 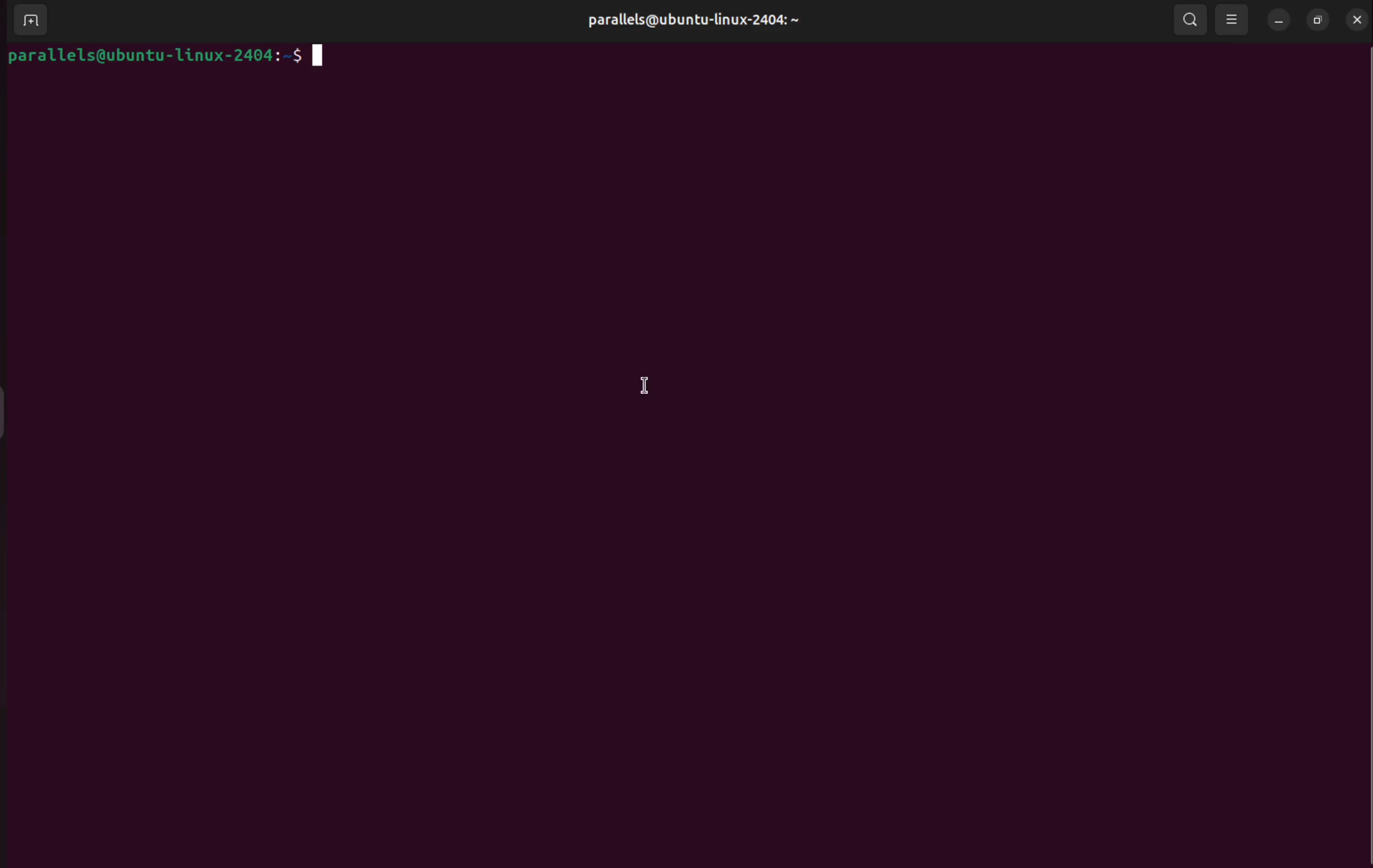 What do you see at coordinates (1364, 455) in the screenshot?
I see `Scrollbar` at bounding box center [1364, 455].